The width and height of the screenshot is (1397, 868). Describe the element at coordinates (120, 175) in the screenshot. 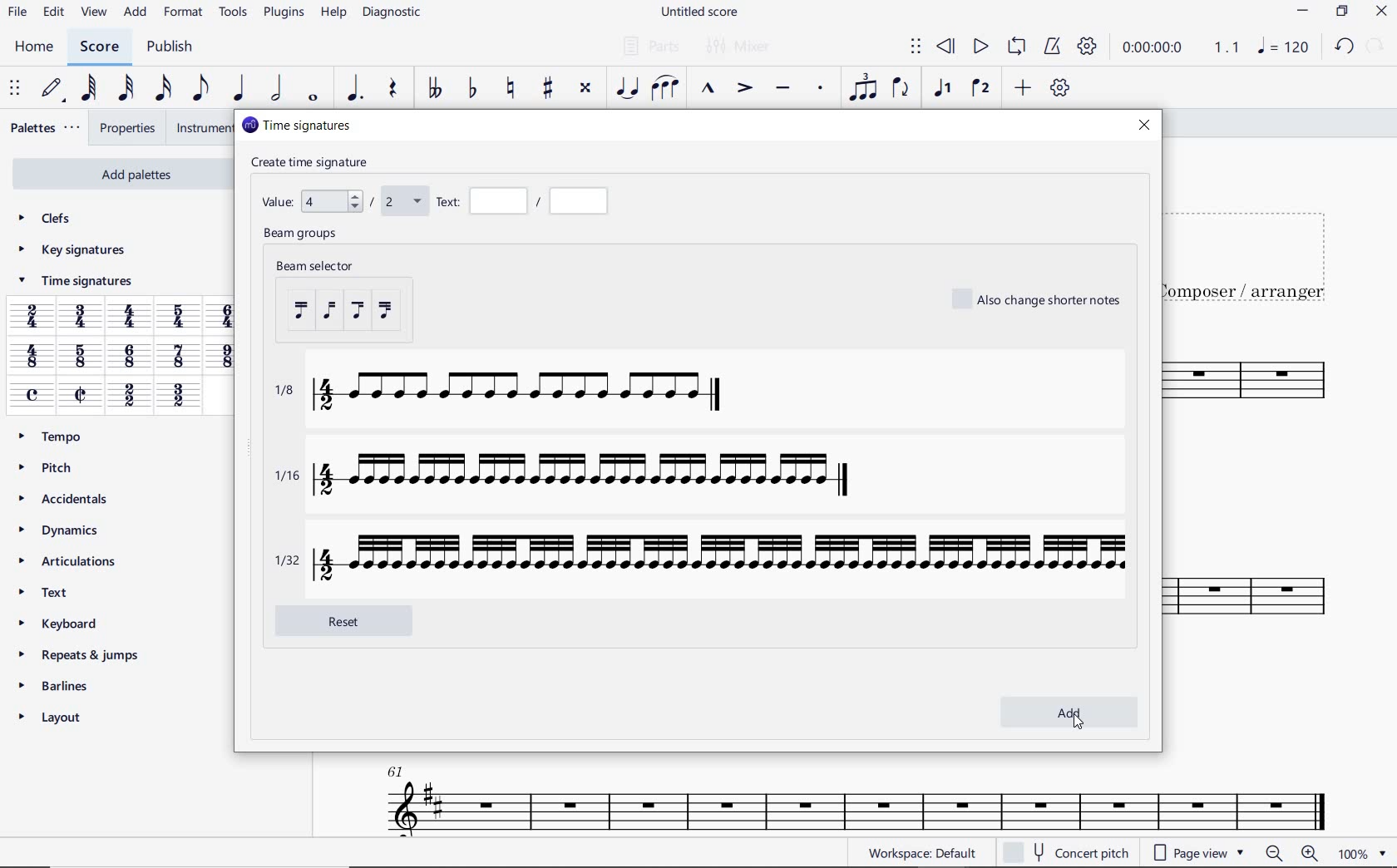

I see `ADD PALETTES` at that location.